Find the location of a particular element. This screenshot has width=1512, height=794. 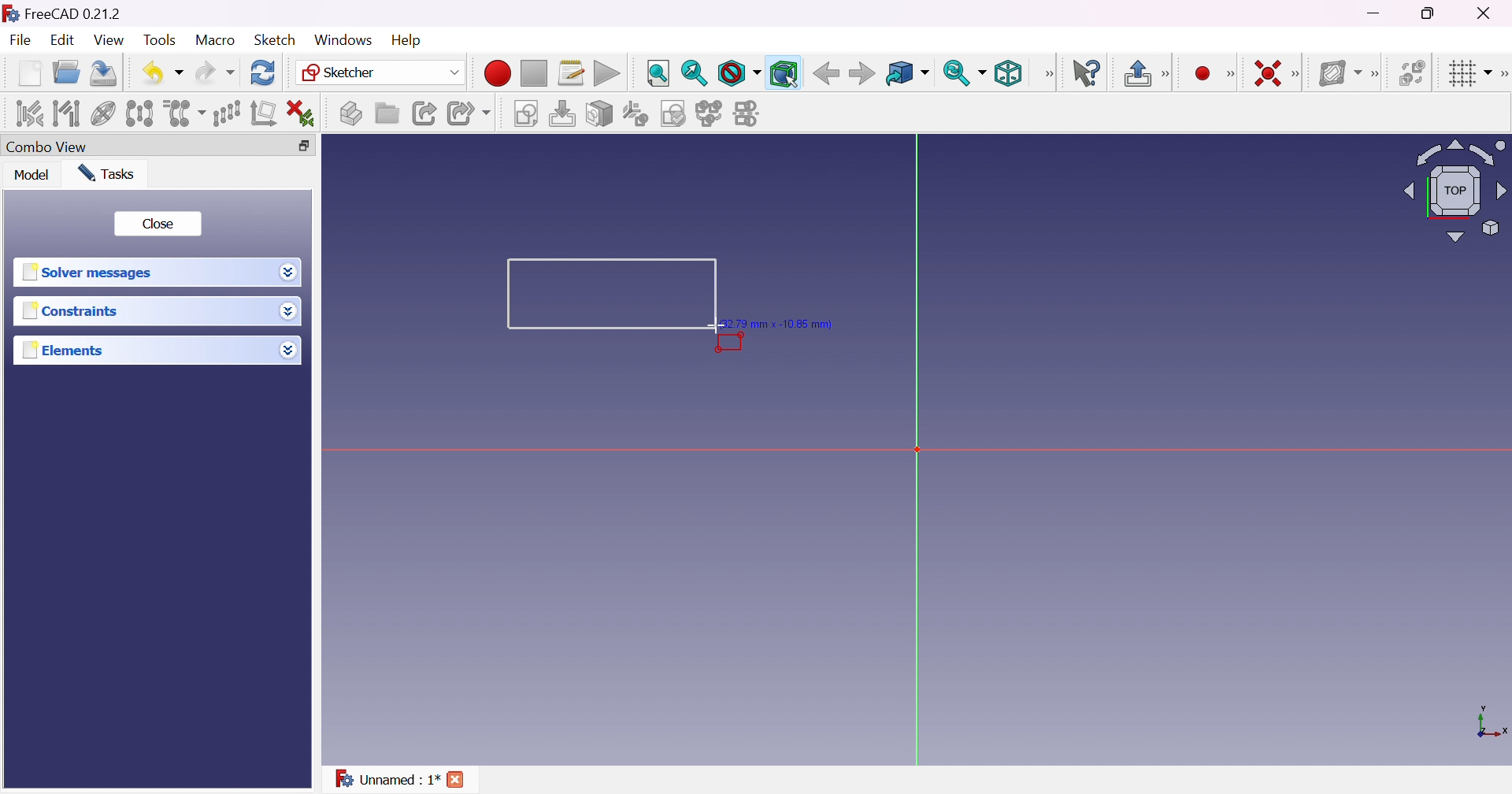

Create sketch is located at coordinates (524, 113).